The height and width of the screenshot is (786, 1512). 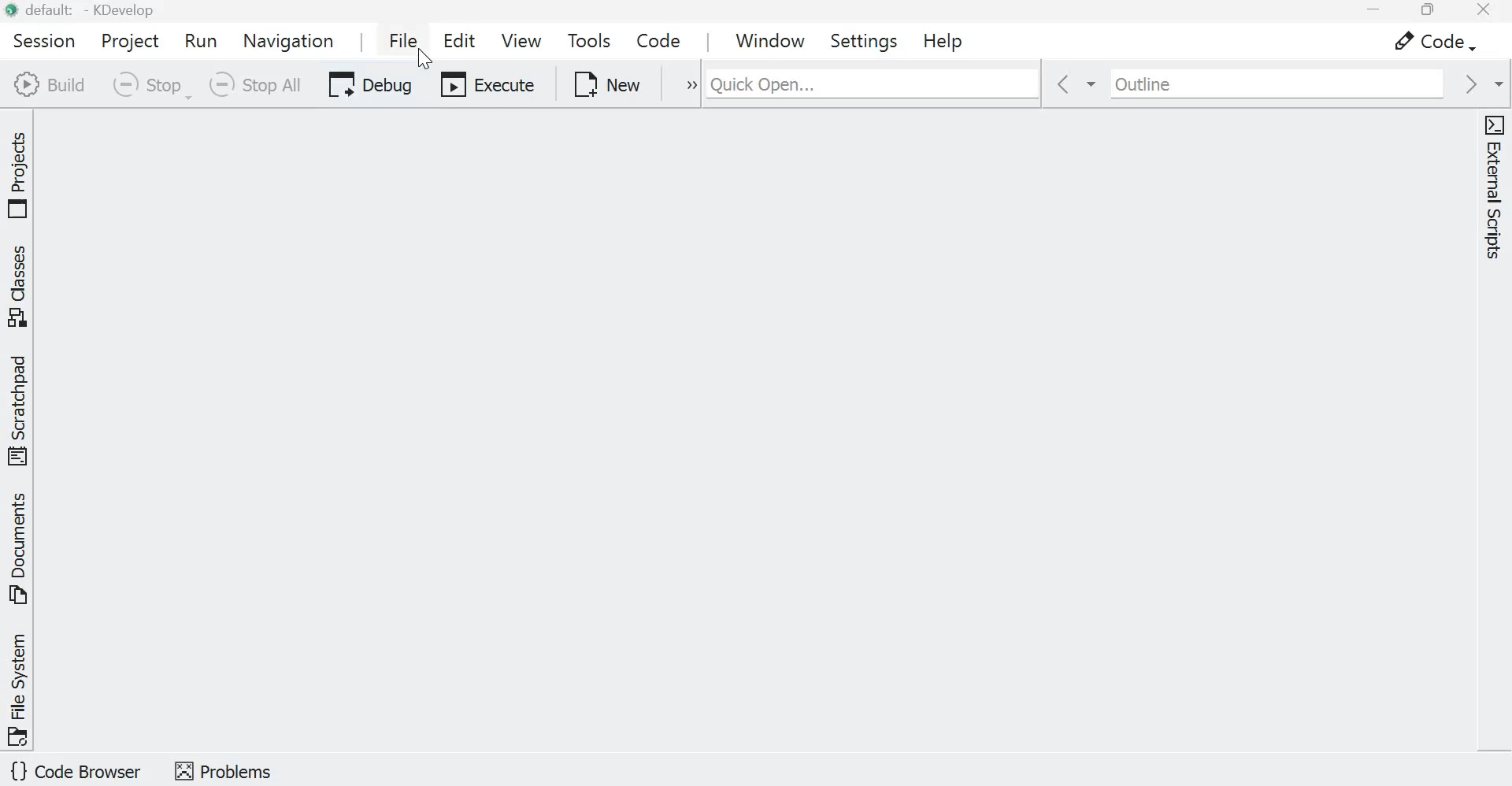 I want to click on Go forward in context history, so click(x=1480, y=83).